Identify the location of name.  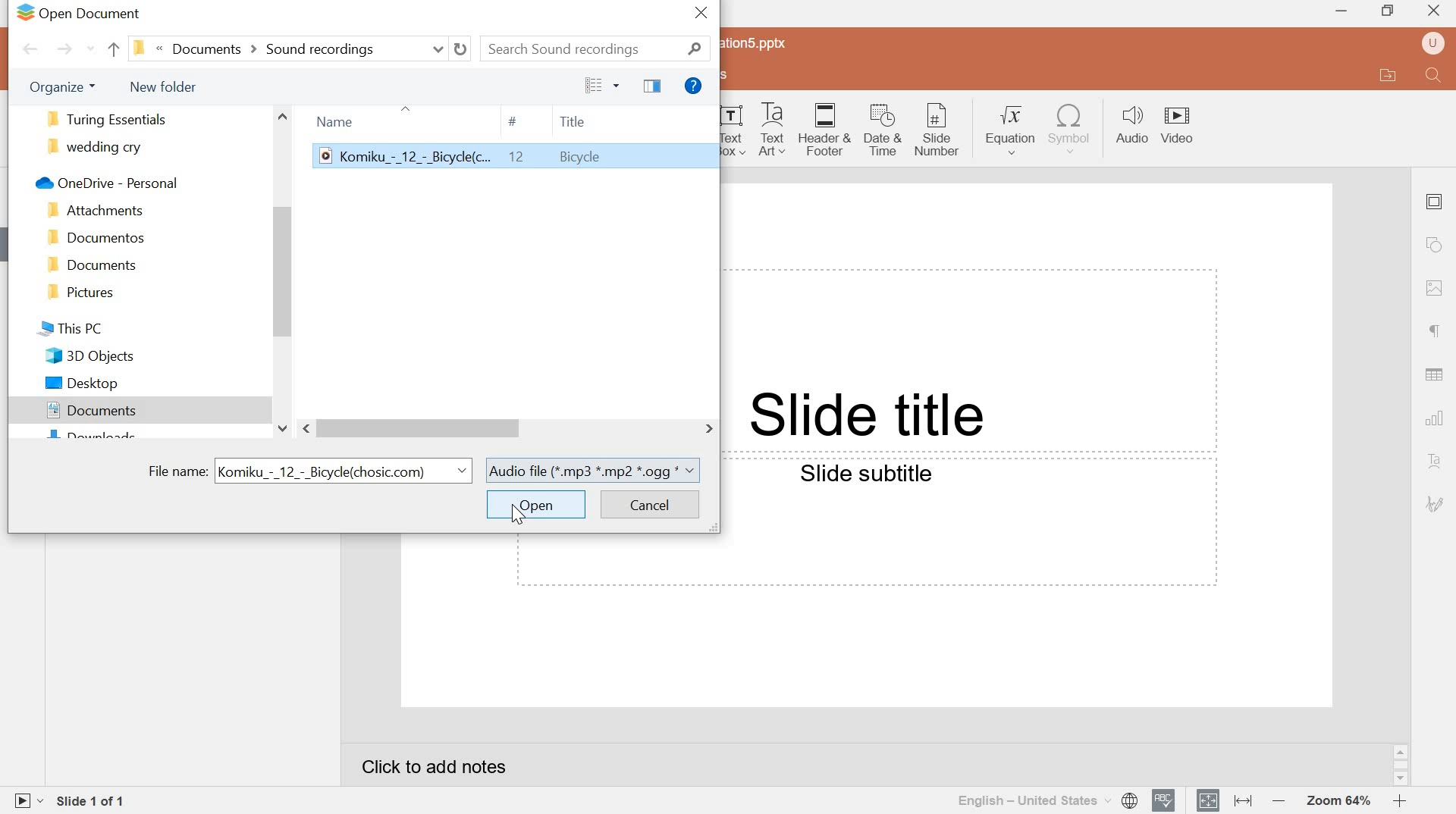
(335, 121).